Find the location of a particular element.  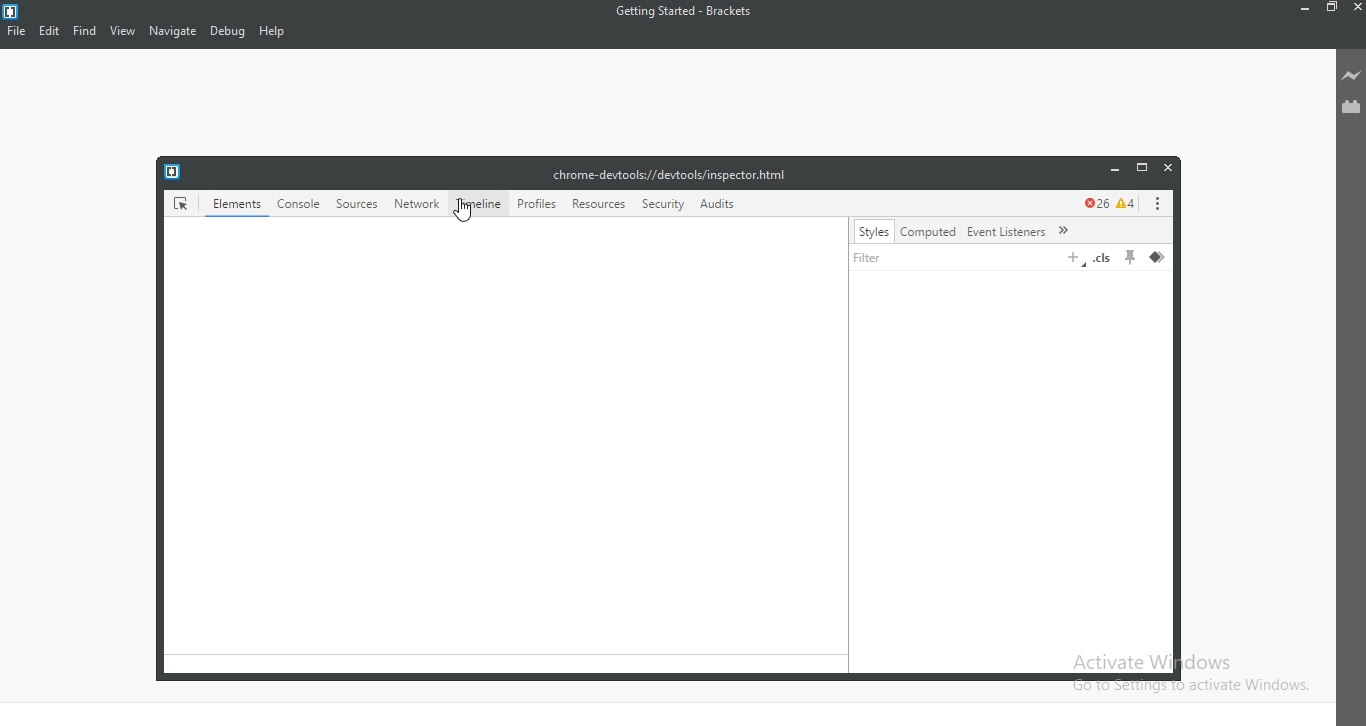

chrome-devtools://devtools/inspector.html is located at coordinates (668, 175).